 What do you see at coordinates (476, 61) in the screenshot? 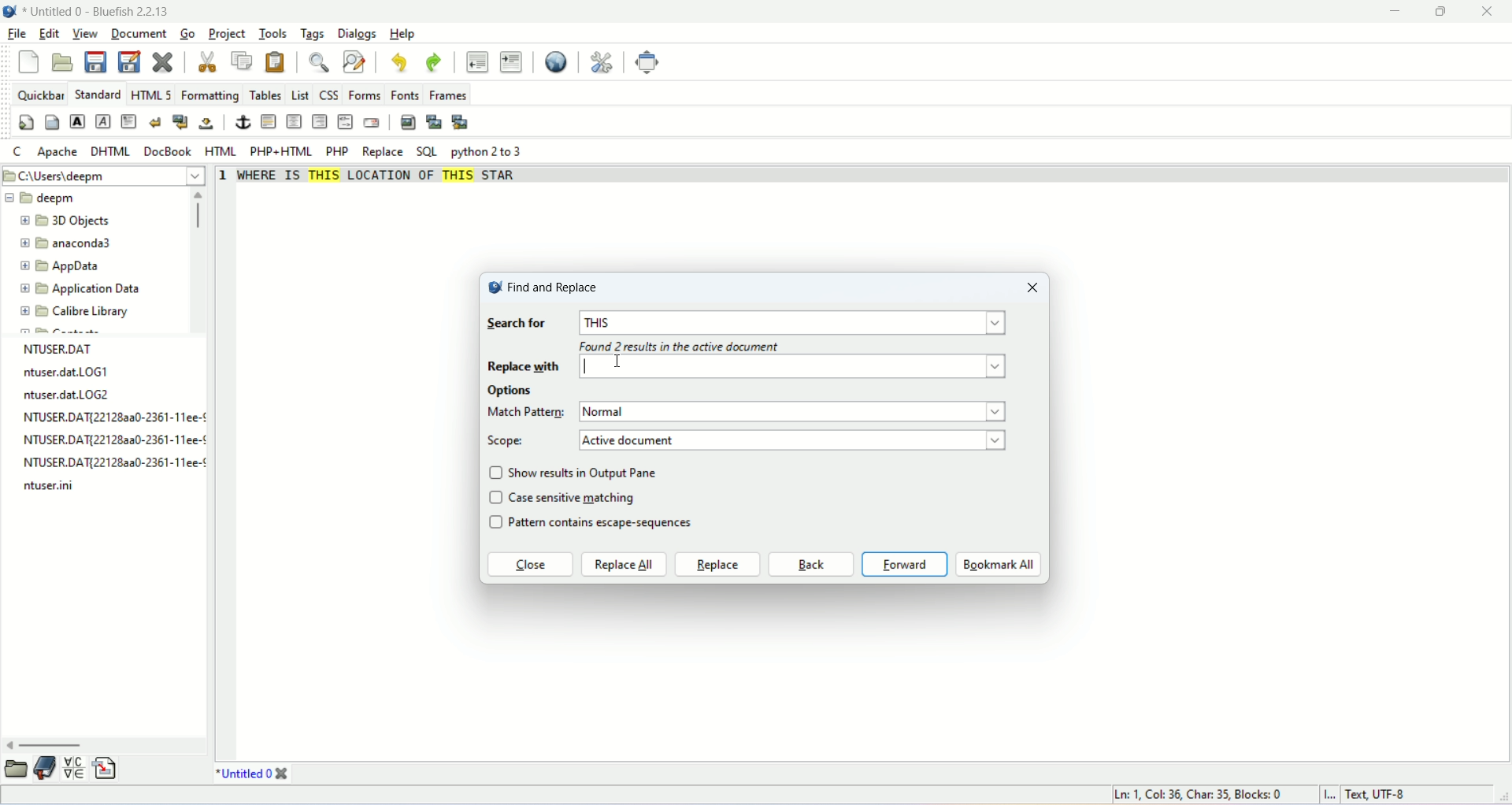
I see `unindent` at bounding box center [476, 61].